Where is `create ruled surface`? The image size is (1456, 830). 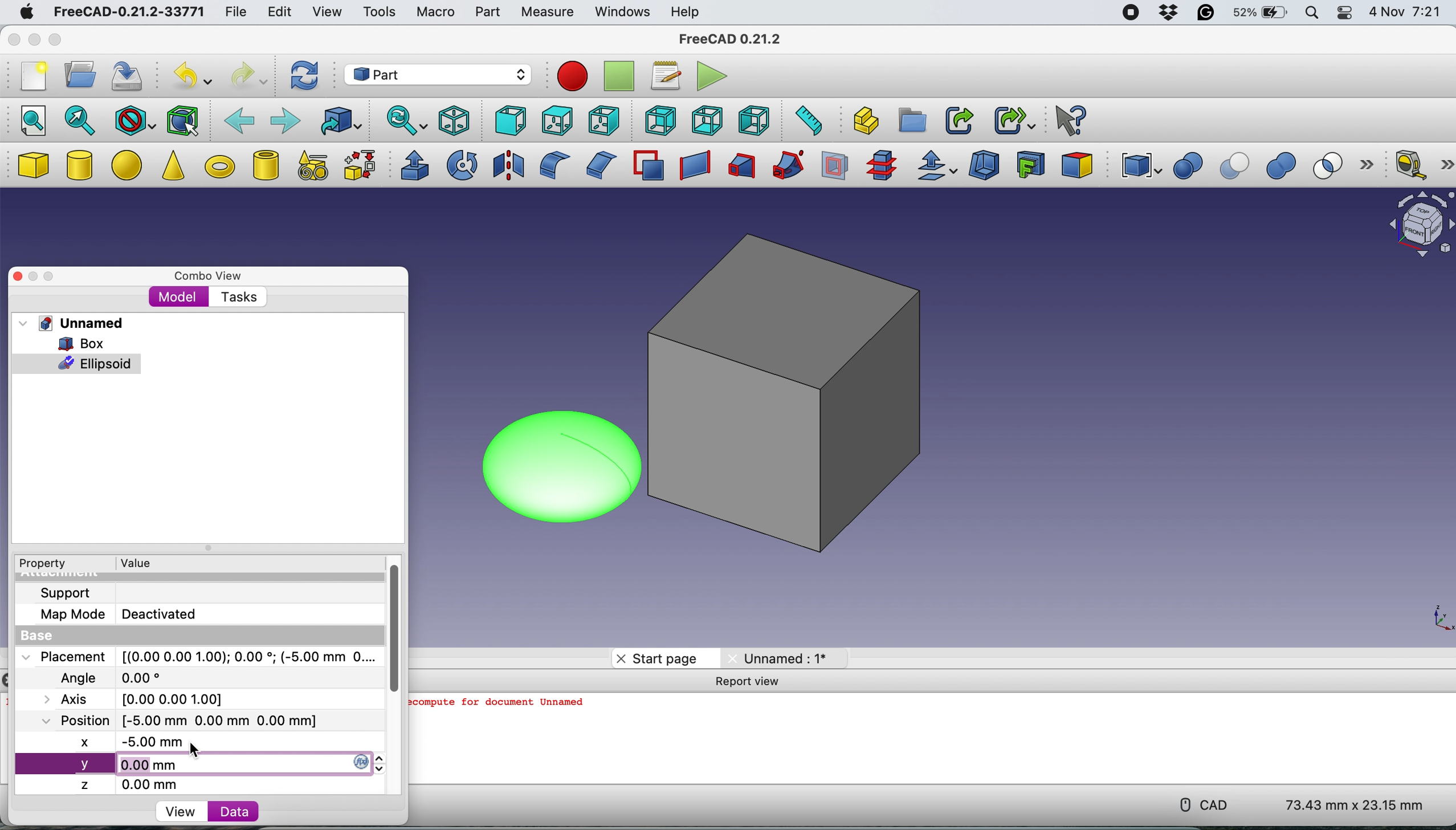
create ruled surface is located at coordinates (692, 166).